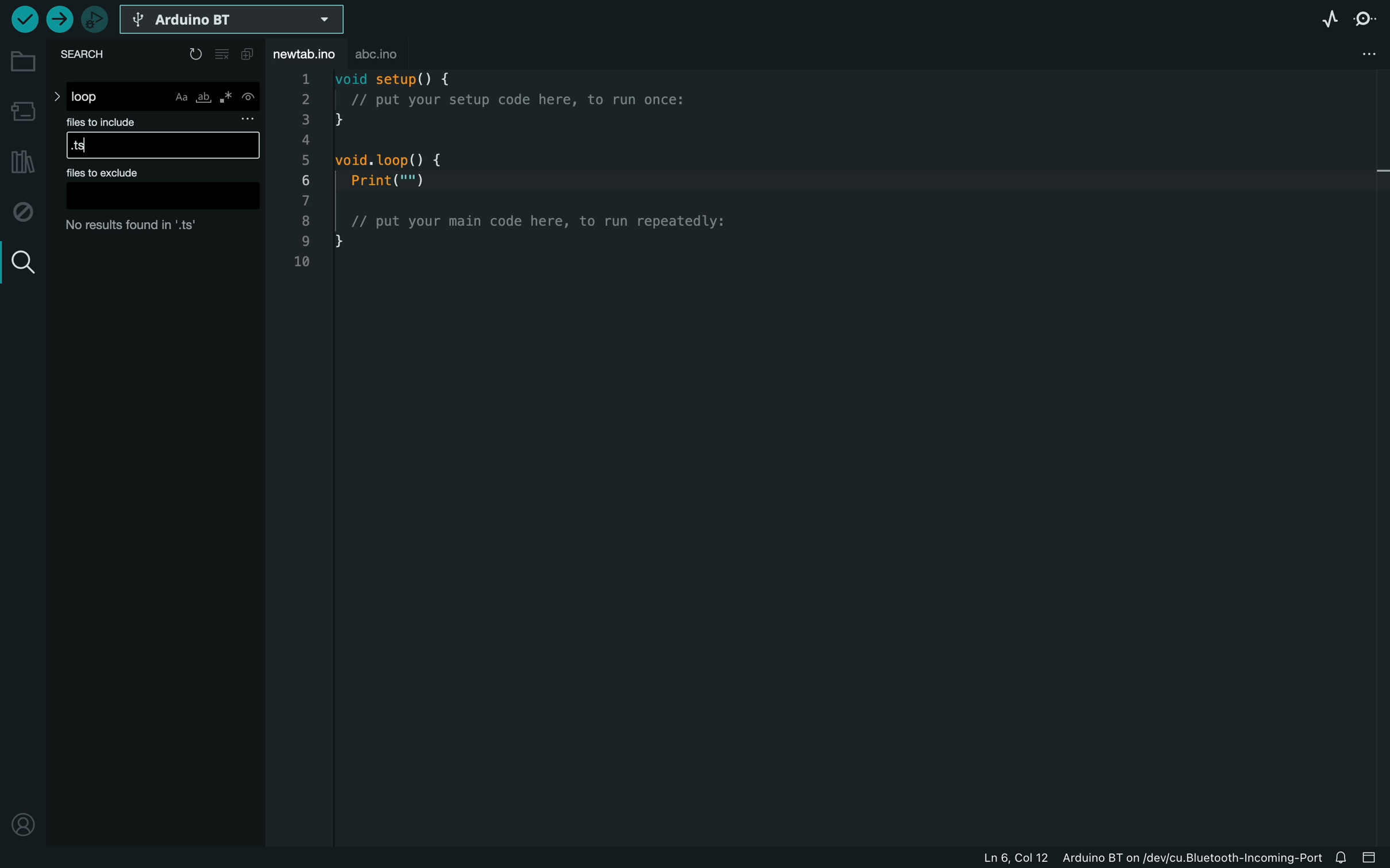 The image size is (1390, 868). Describe the element at coordinates (1362, 54) in the screenshot. I see `file setting` at that location.